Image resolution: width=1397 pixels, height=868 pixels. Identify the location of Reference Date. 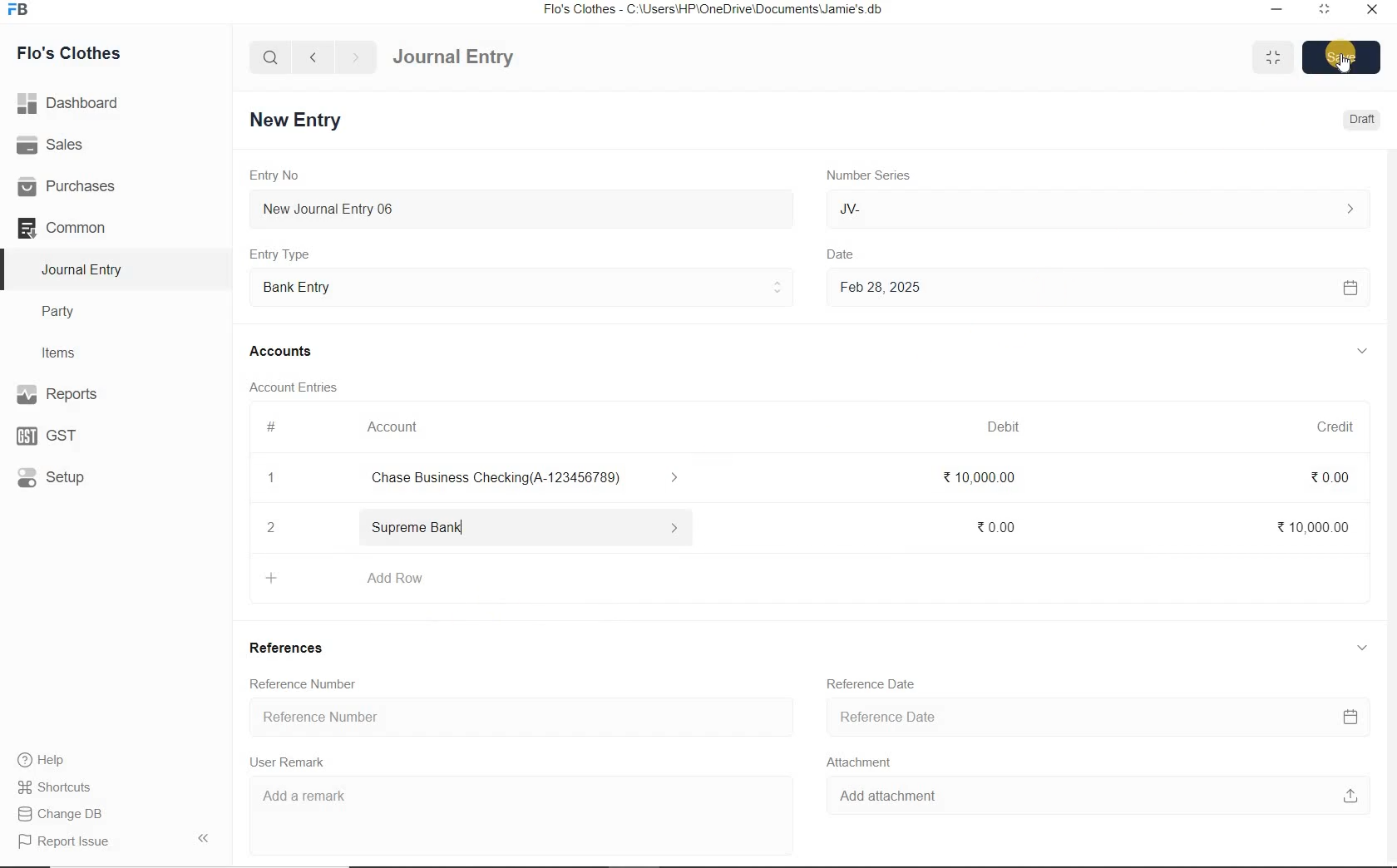
(1103, 718).